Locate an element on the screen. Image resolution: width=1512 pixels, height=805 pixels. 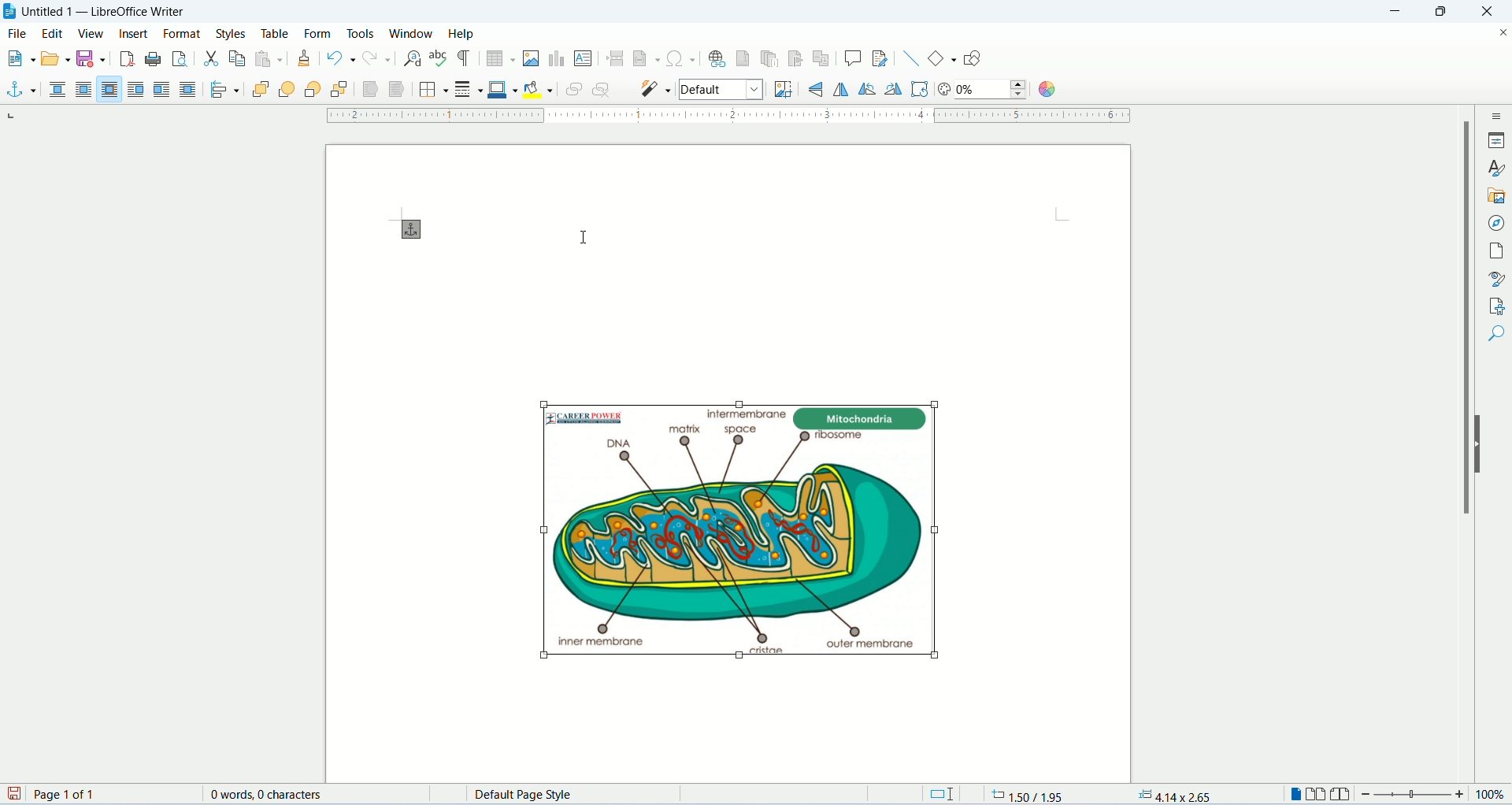
zoom percent is located at coordinates (1490, 796).